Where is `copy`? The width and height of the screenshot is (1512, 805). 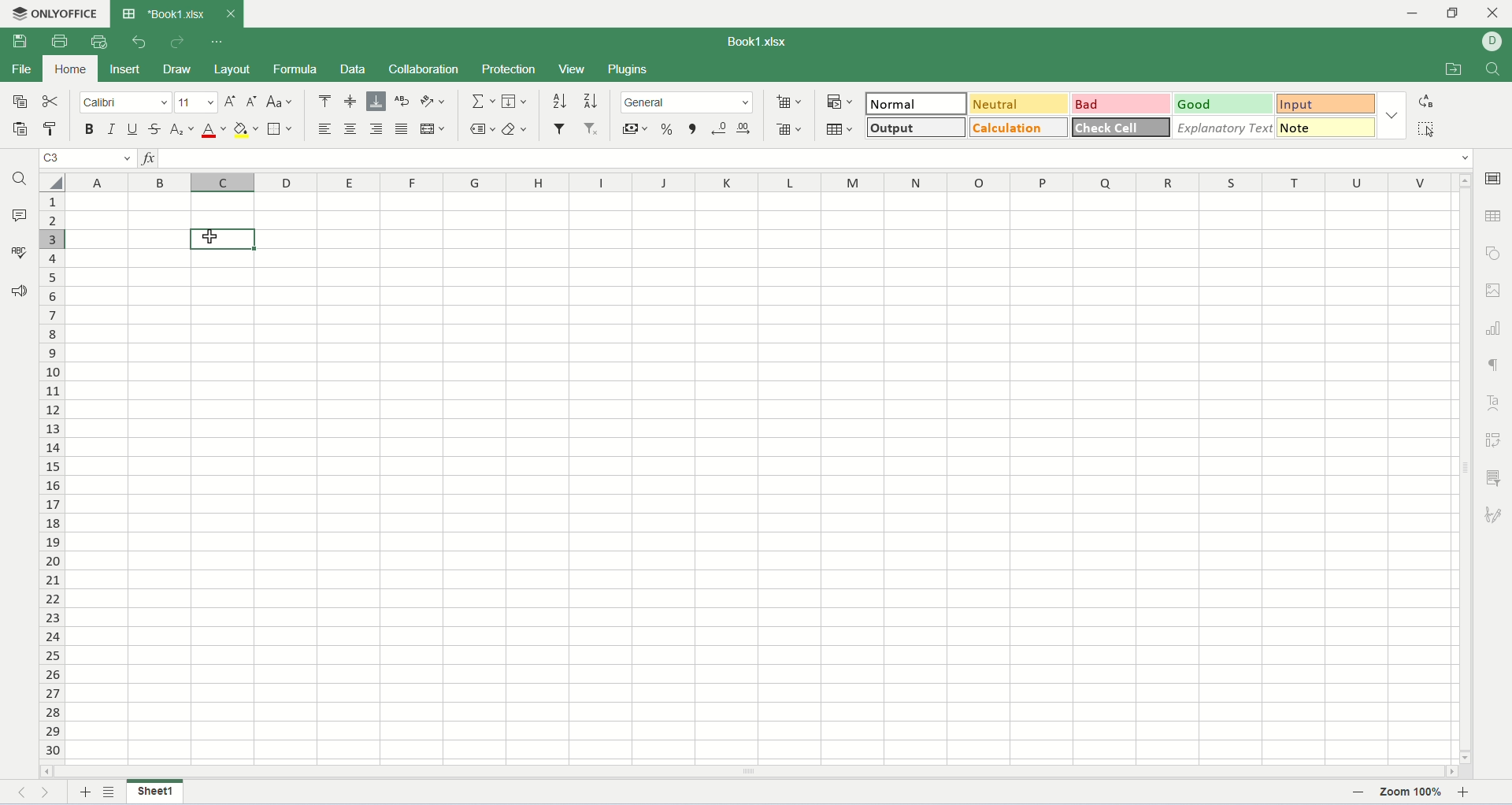 copy is located at coordinates (16, 100).